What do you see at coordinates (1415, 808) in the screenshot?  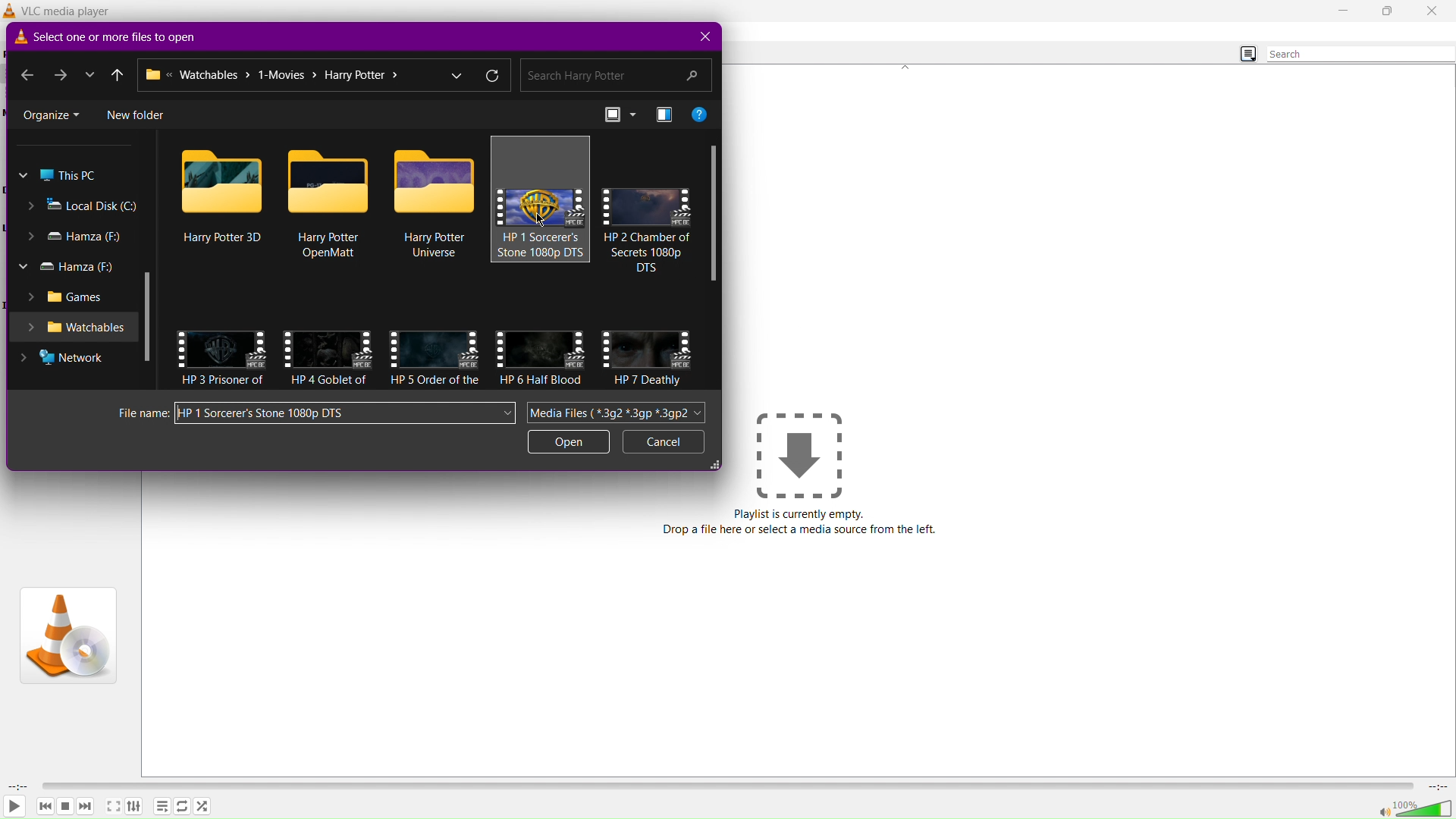 I see `Volume` at bounding box center [1415, 808].